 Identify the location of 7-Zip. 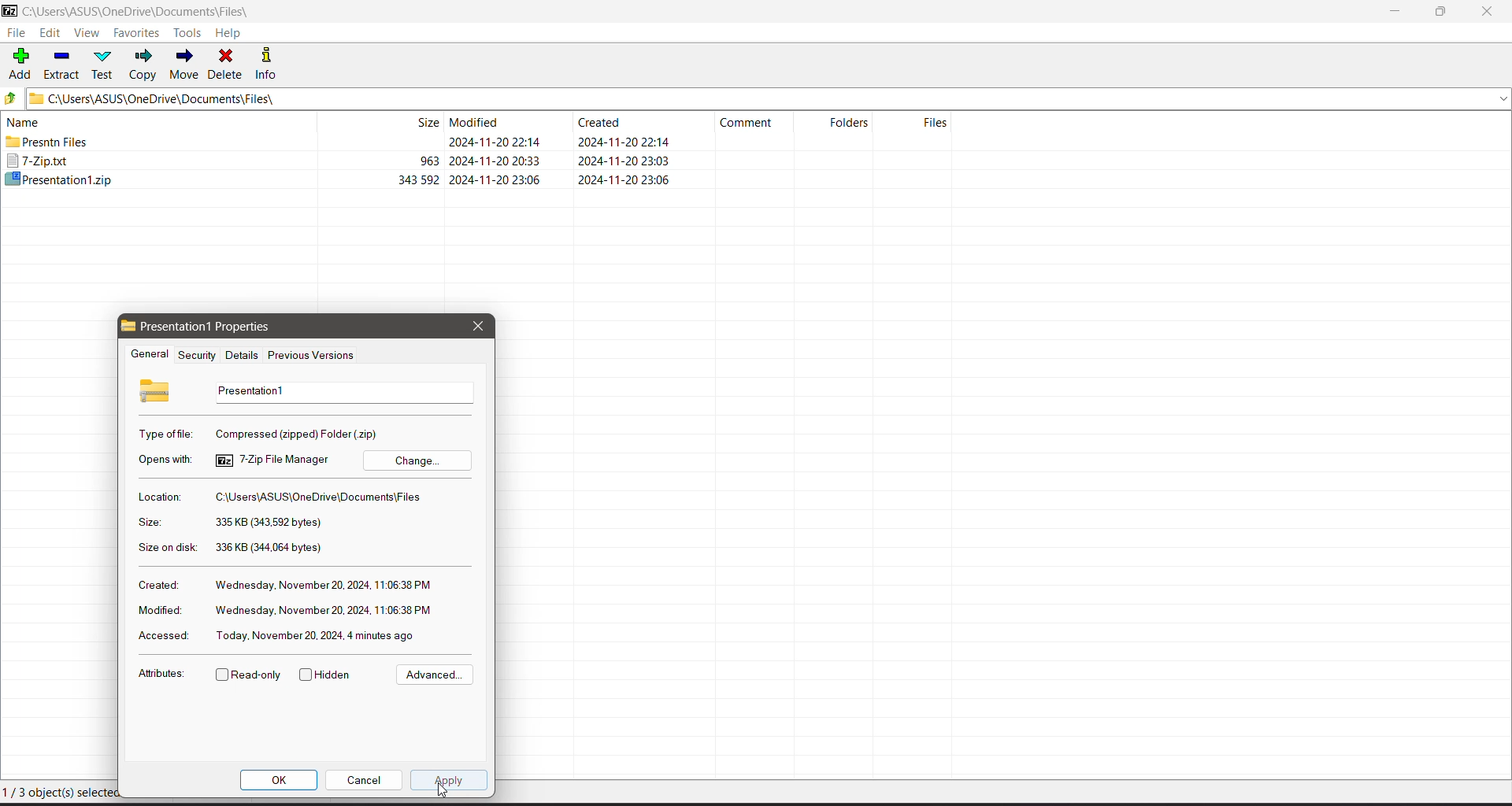
(342, 161).